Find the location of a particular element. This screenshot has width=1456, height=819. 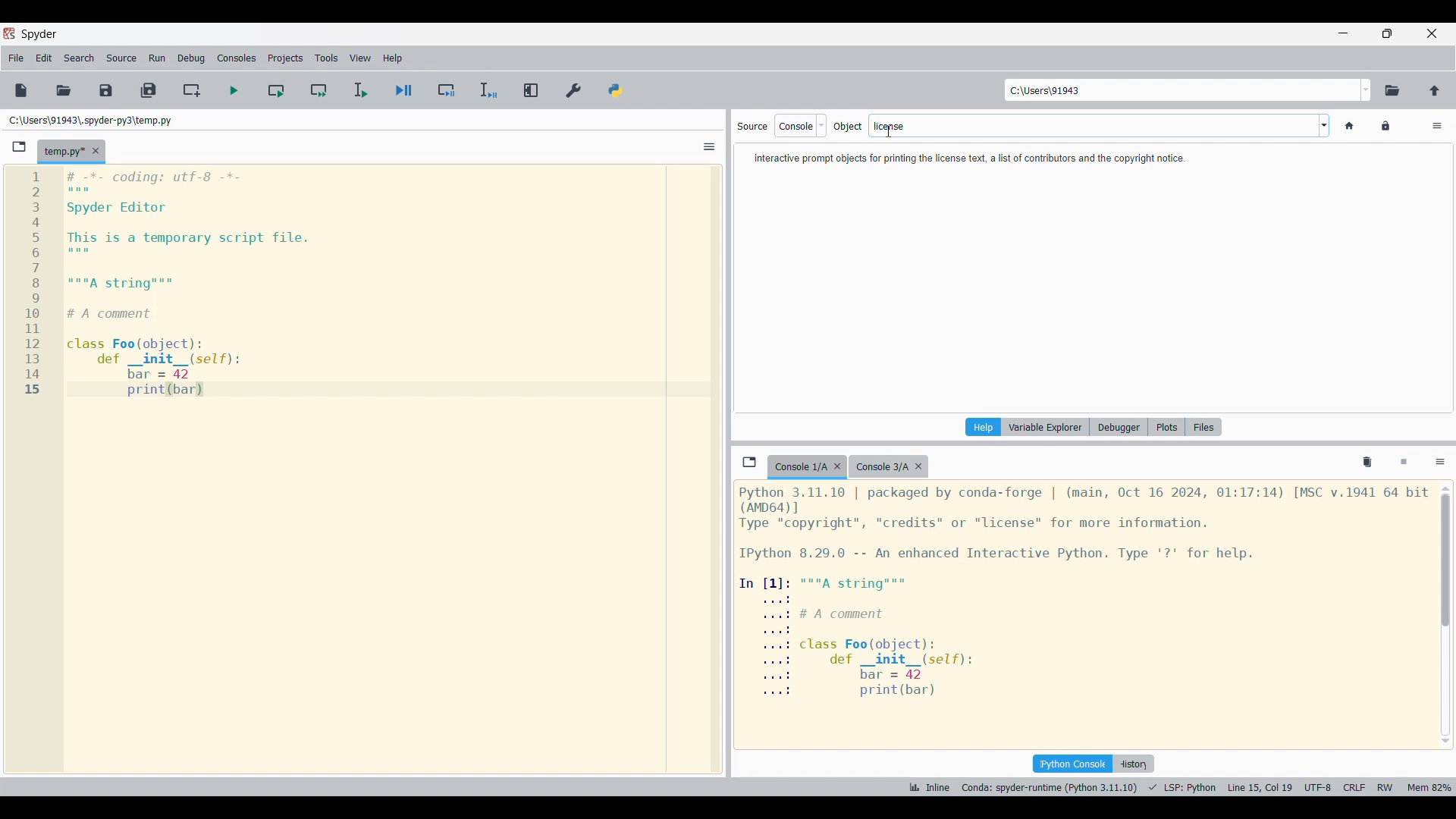

Other tab is located at coordinates (888, 467).